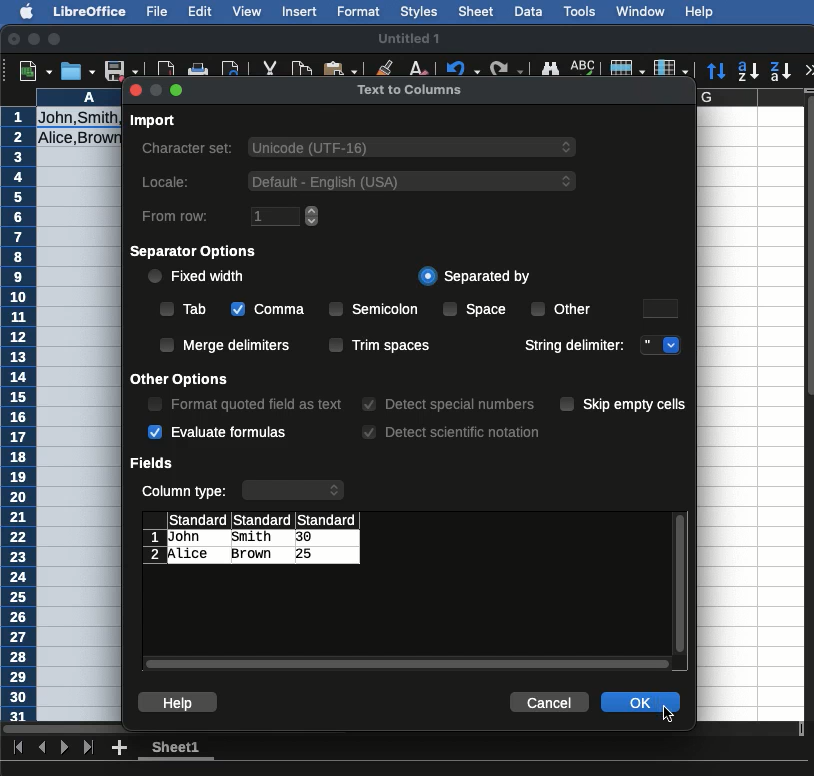 The width and height of the screenshot is (814, 776). What do you see at coordinates (420, 13) in the screenshot?
I see `Styles` at bounding box center [420, 13].